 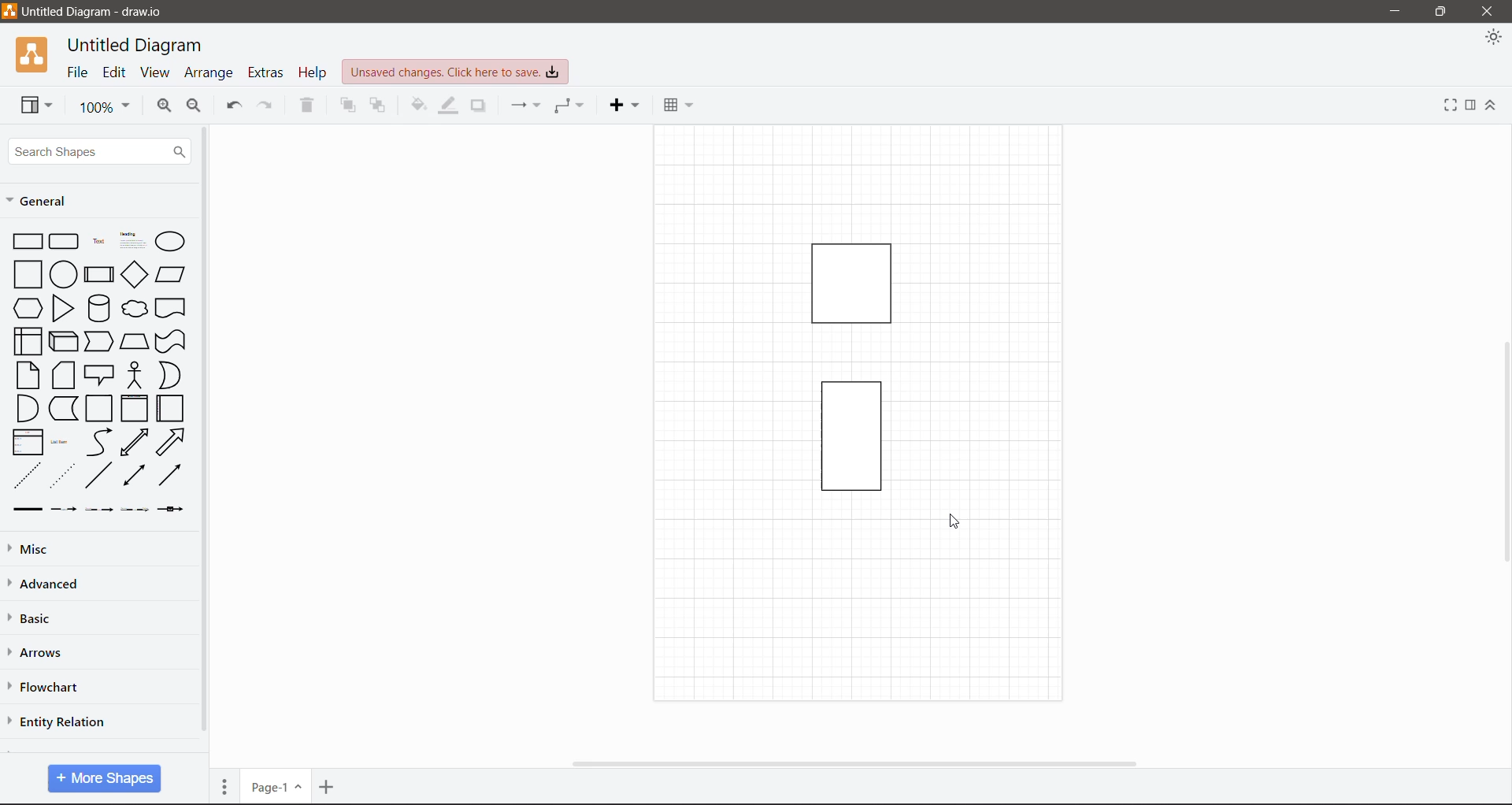 What do you see at coordinates (164, 108) in the screenshot?
I see `Zoom In` at bounding box center [164, 108].